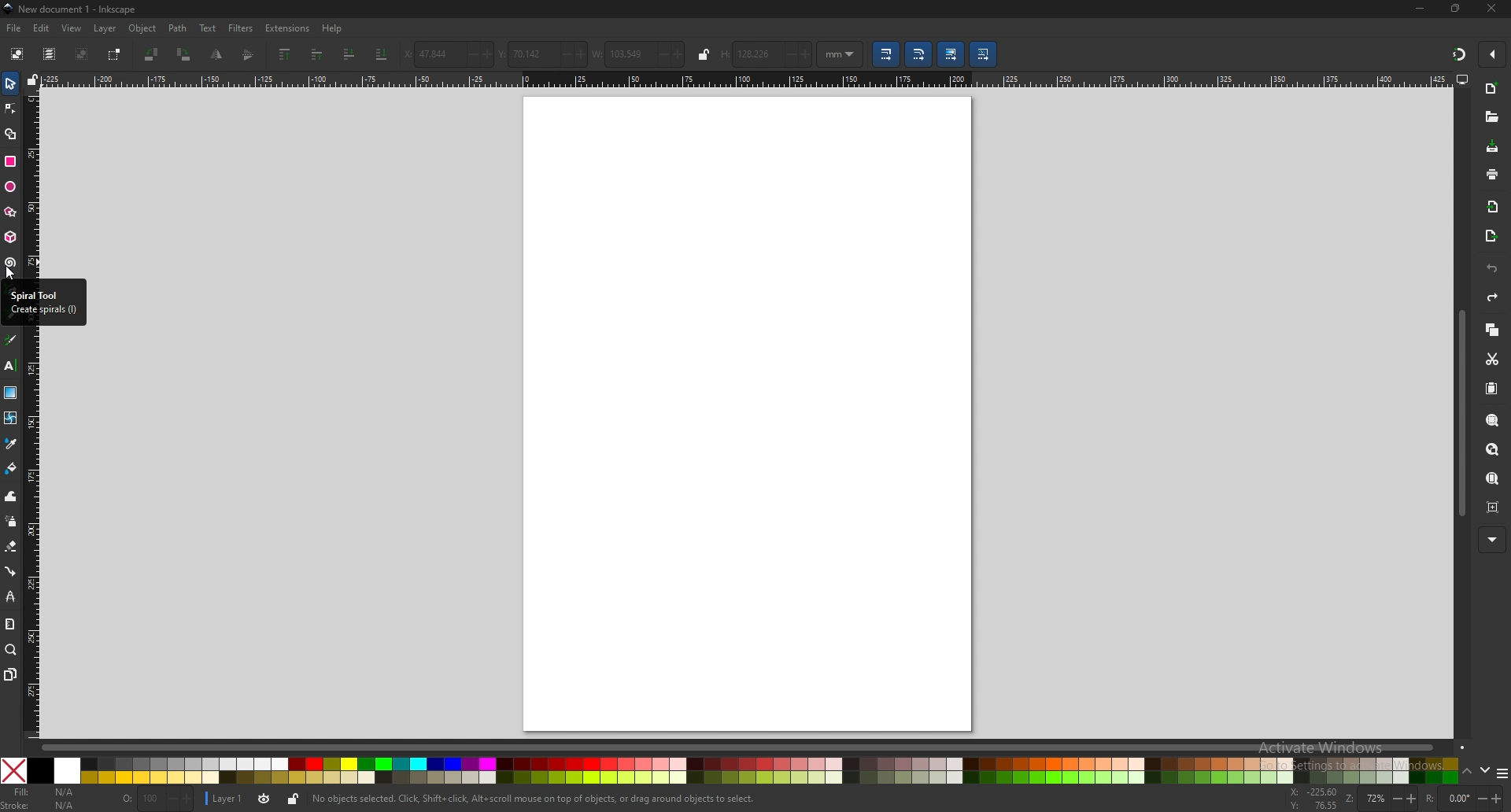 The height and width of the screenshot is (812, 1511). I want to click on fill: N/A, so click(46, 791).